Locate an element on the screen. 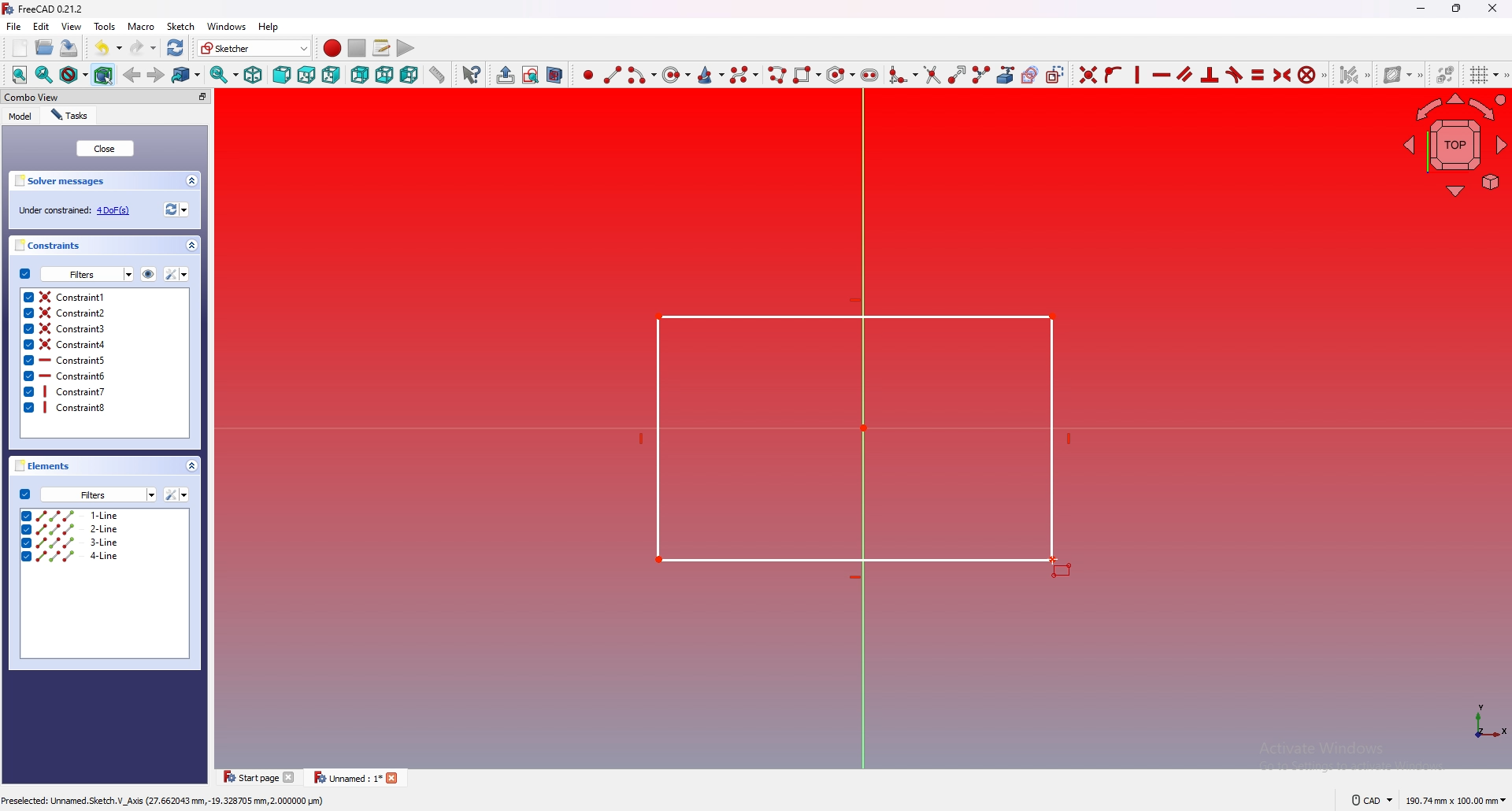 This screenshot has height=811, width=1512. toggle grid is located at coordinates (1485, 75).